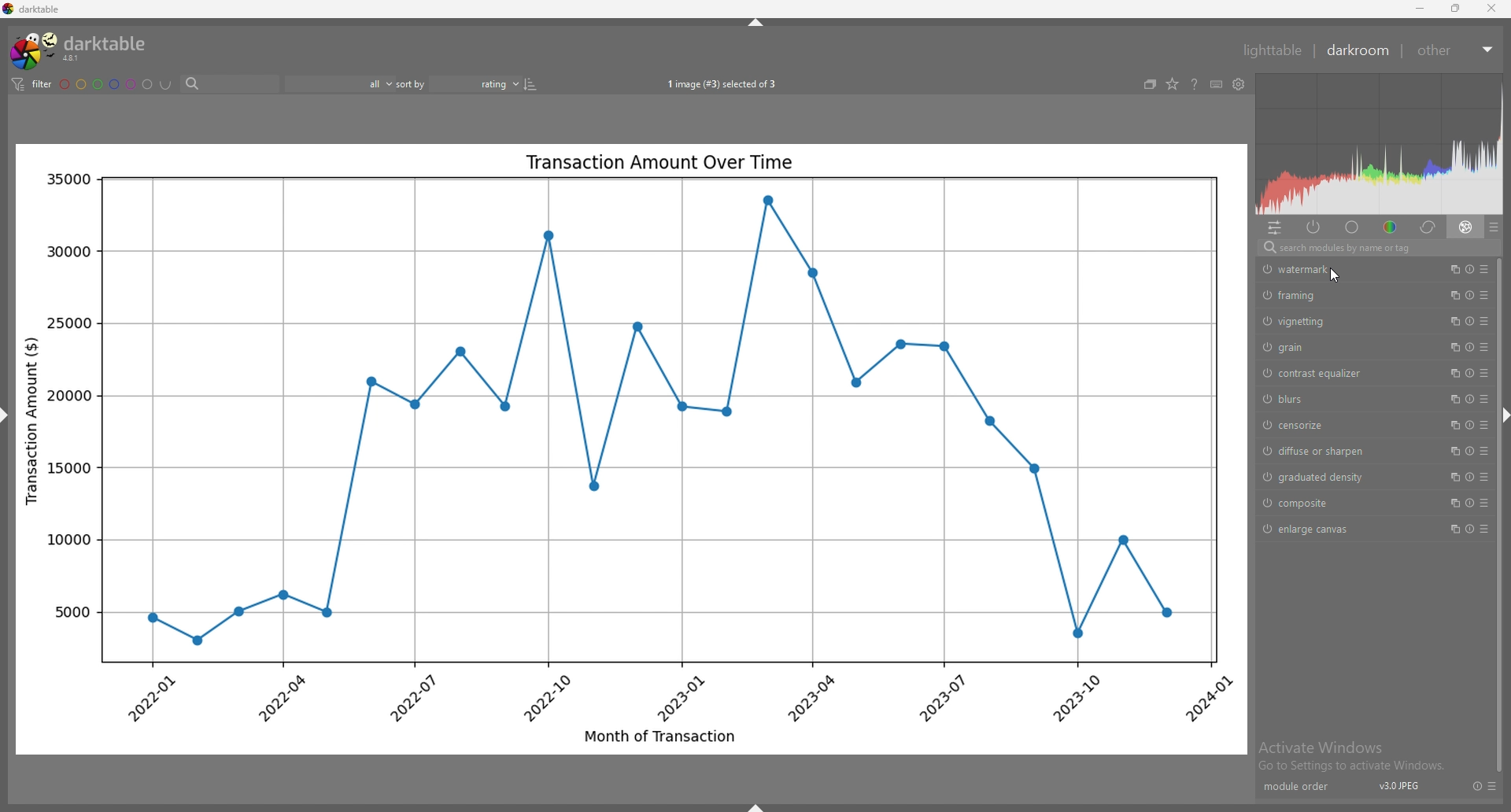 The width and height of the screenshot is (1511, 812). Describe the element at coordinates (1484, 269) in the screenshot. I see `presets` at that location.